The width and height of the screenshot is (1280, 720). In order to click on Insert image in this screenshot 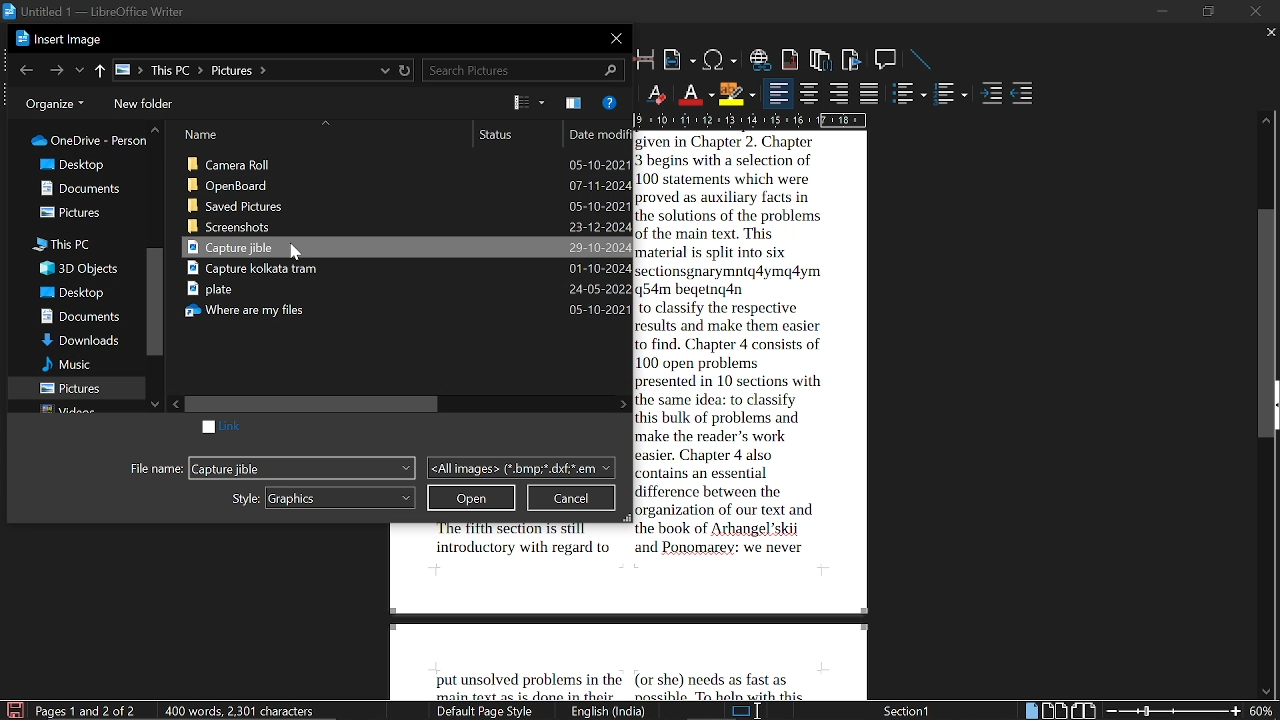, I will do `click(59, 38)`.